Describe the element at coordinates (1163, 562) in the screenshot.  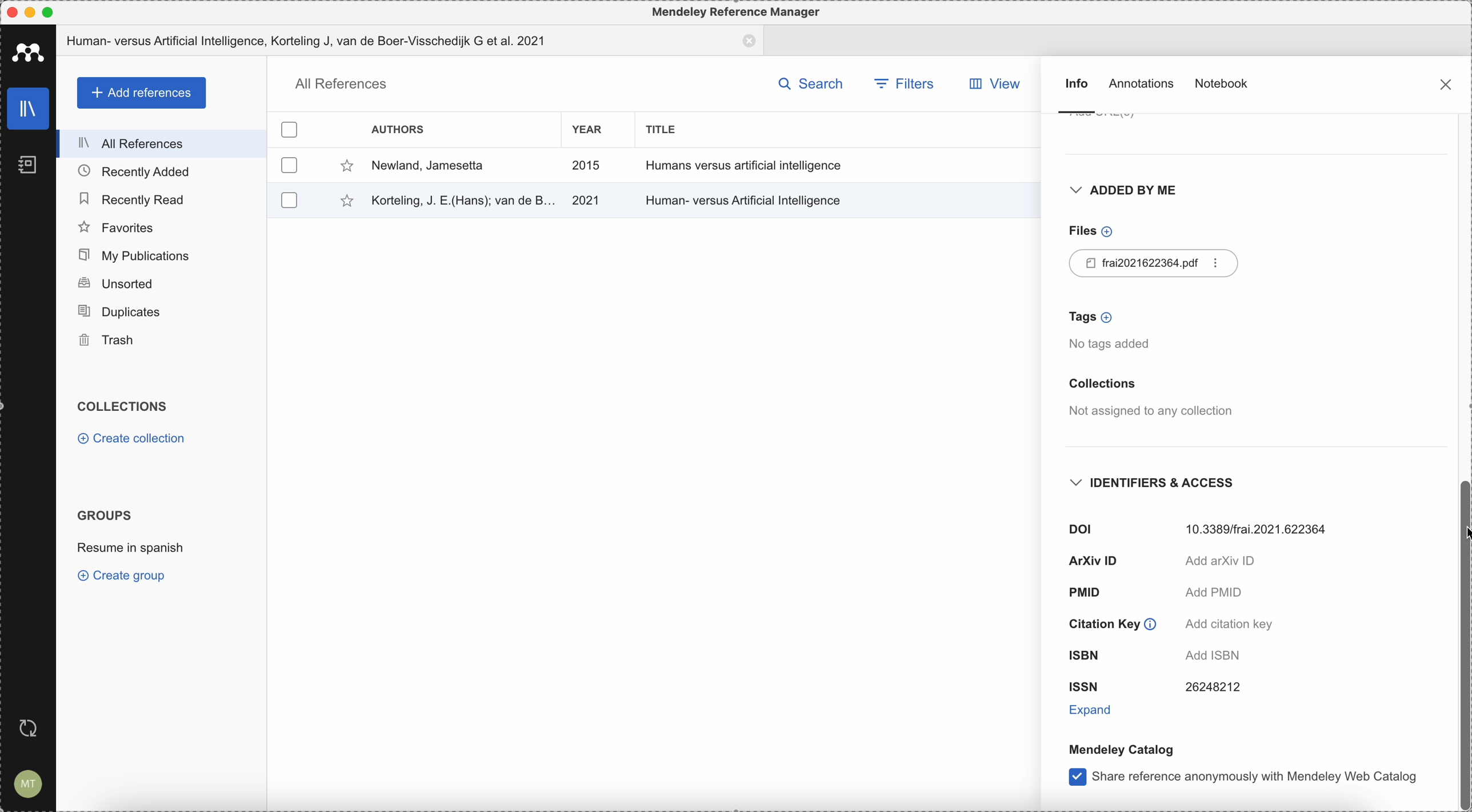
I see `arxiv` at that location.